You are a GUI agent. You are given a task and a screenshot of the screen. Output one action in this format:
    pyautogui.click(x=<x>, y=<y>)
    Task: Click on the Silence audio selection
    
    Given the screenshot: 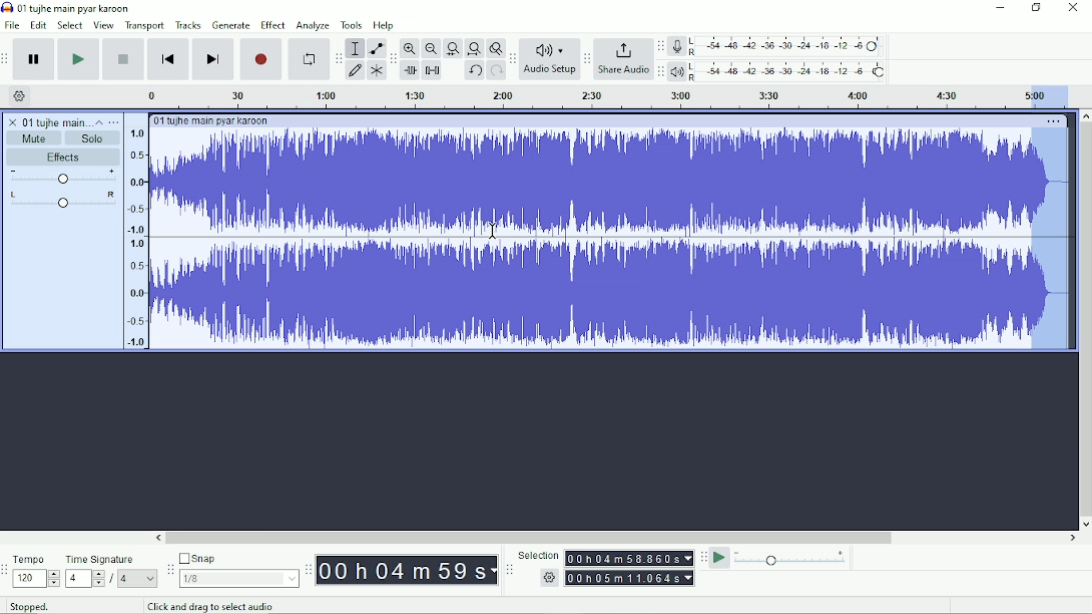 What is the action you would take?
    pyautogui.click(x=433, y=70)
    